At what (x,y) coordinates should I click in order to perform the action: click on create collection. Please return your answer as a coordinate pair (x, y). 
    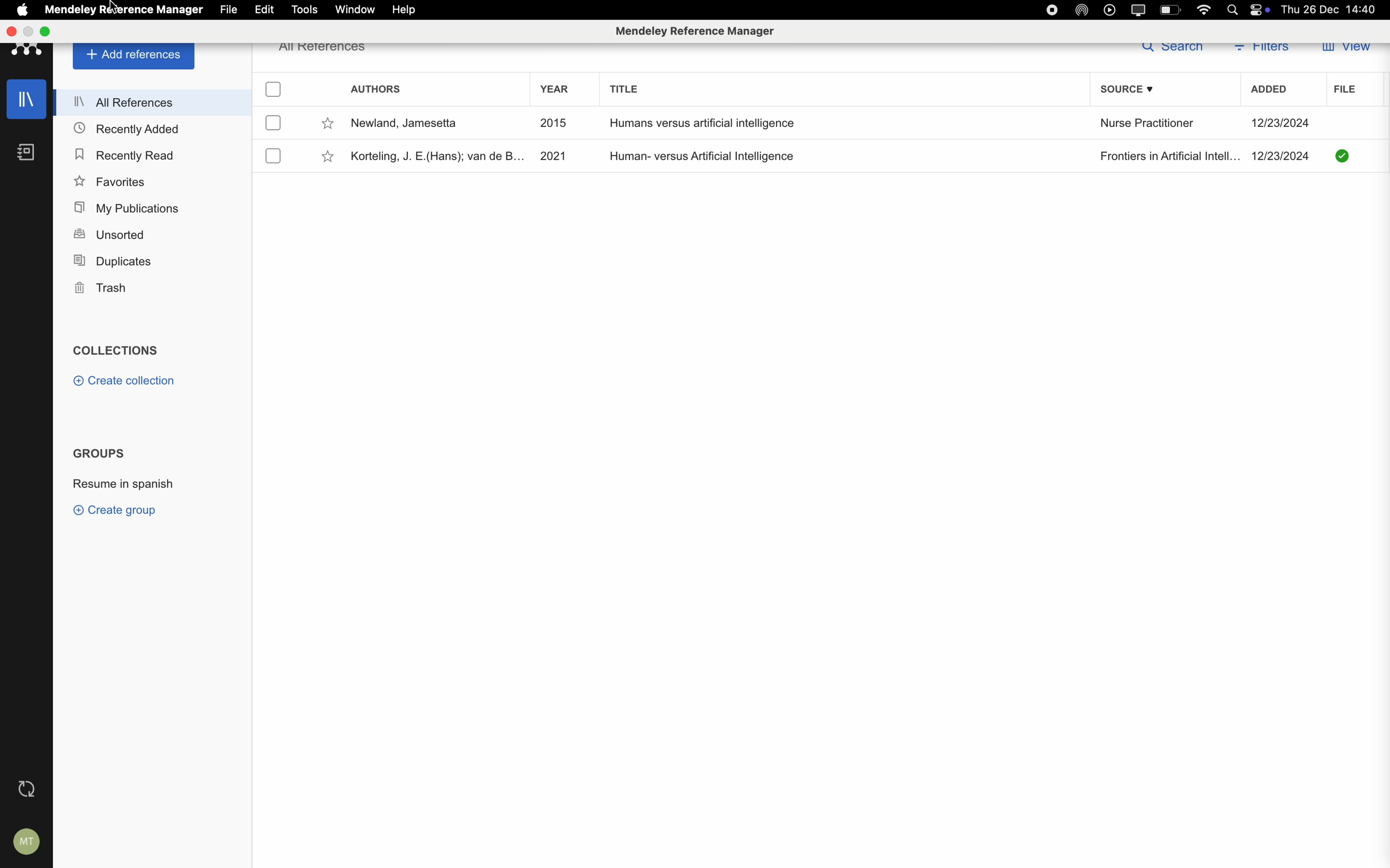
    Looking at the image, I should click on (127, 380).